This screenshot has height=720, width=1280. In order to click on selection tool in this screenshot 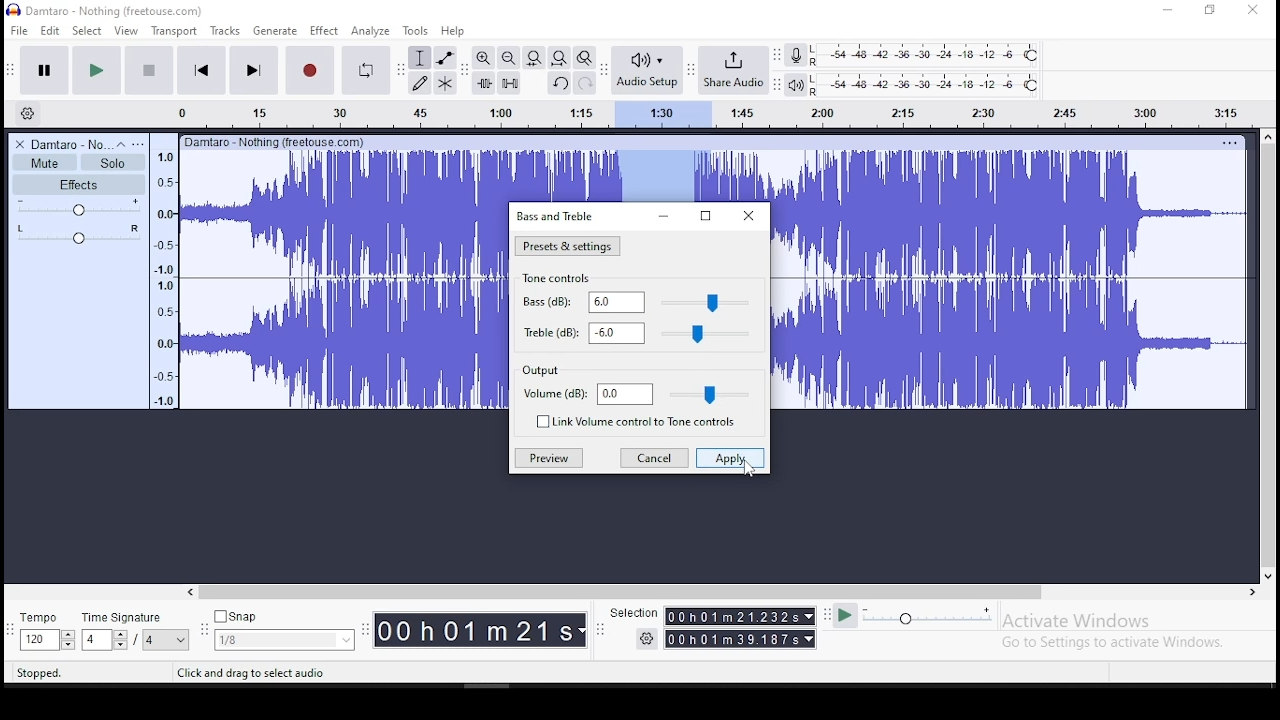, I will do `click(421, 58)`.